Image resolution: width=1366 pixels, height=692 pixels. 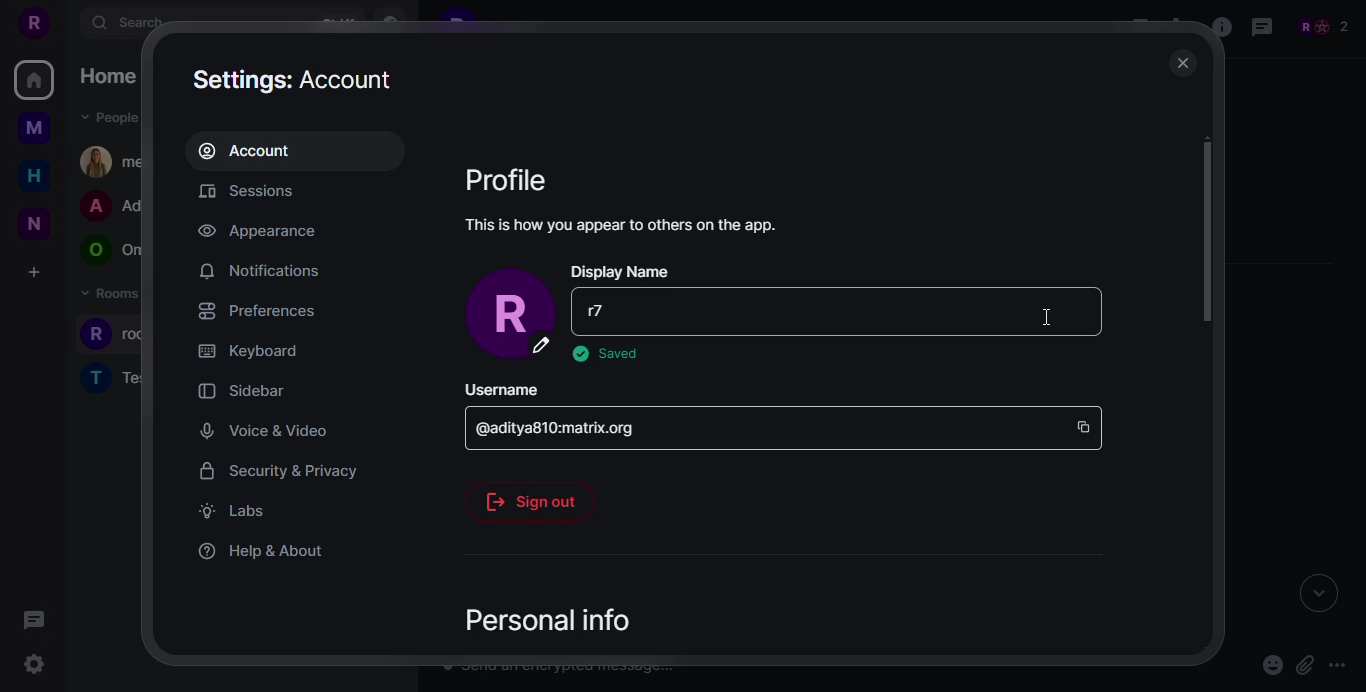 I want to click on home, so click(x=34, y=80).